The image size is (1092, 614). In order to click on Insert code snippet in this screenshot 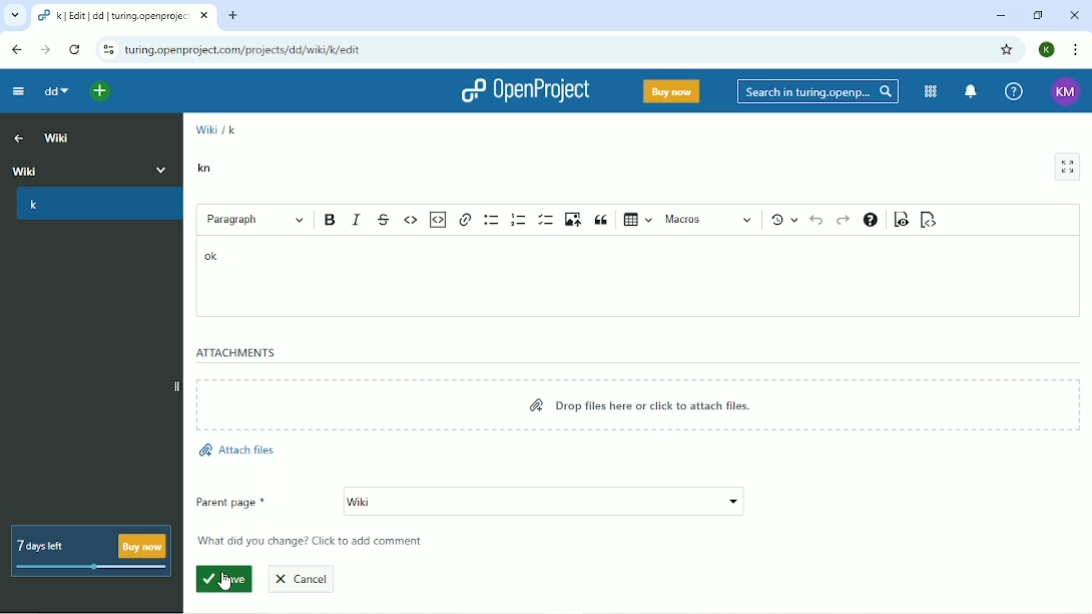, I will do `click(438, 219)`.